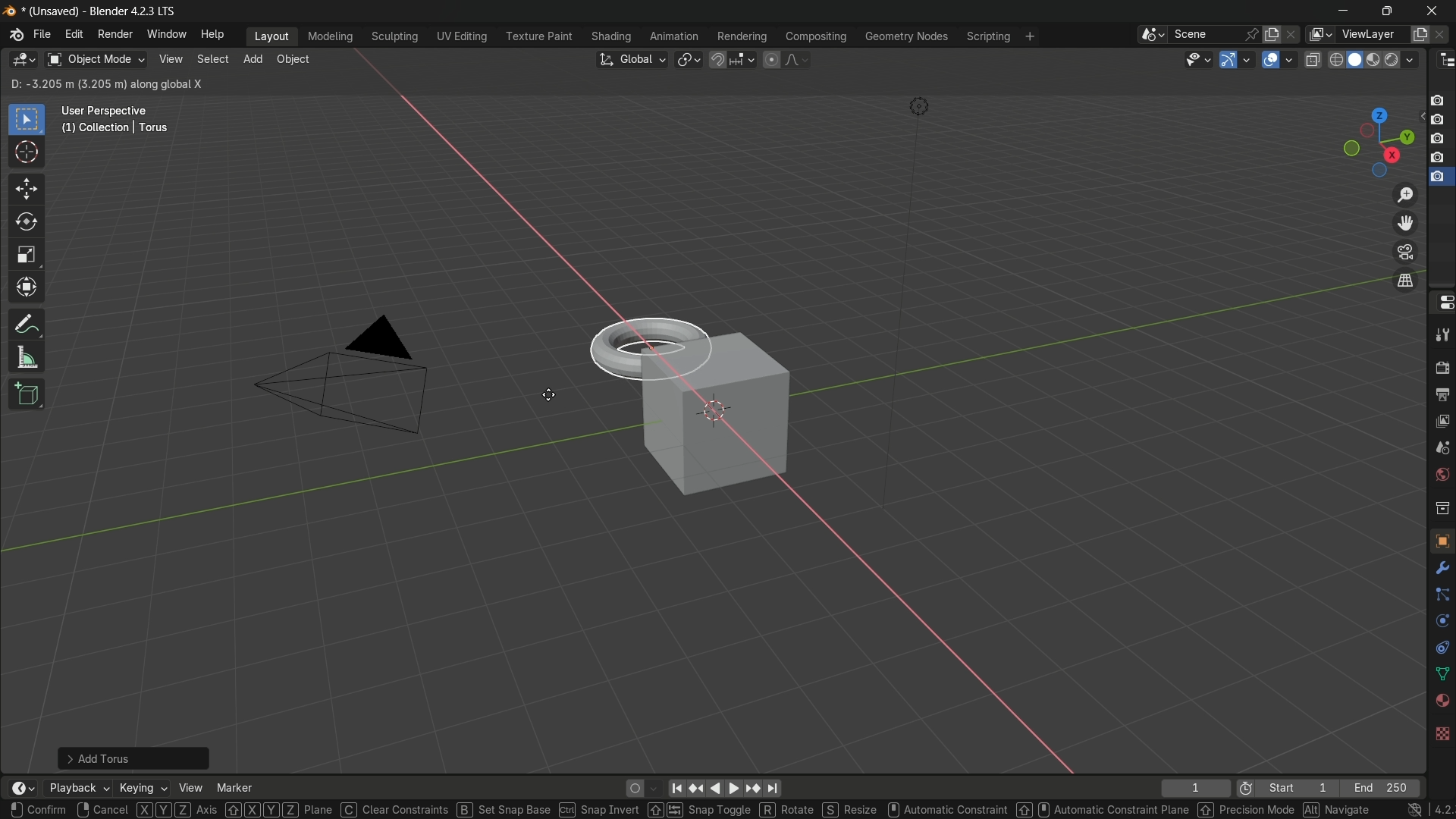 The image size is (1456, 819). I want to click on 1, so click(1194, 789).